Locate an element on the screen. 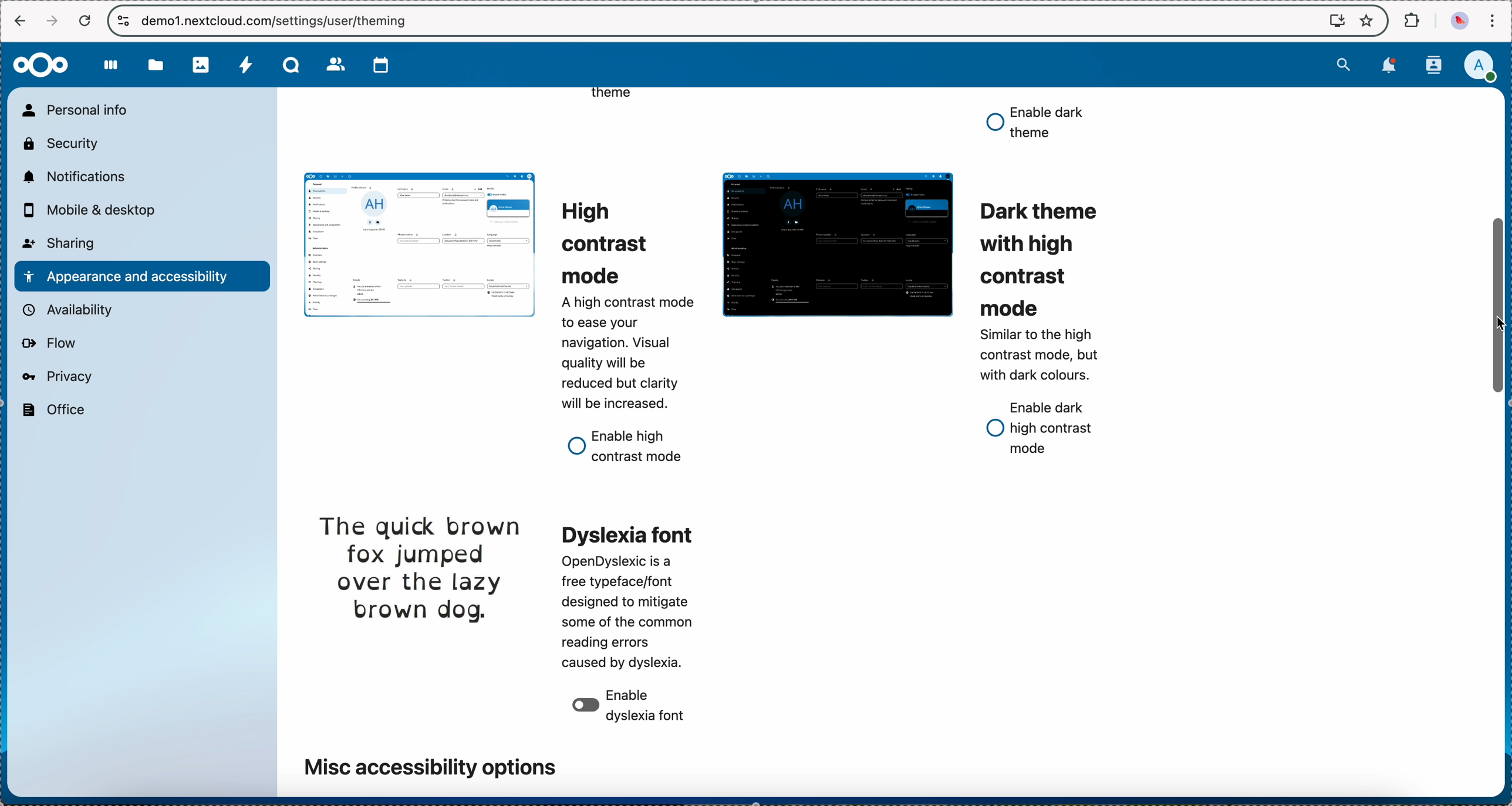 Image resolution: width=1512 pixels, height=806 pixels. search is located at coordinates (1341, 66).